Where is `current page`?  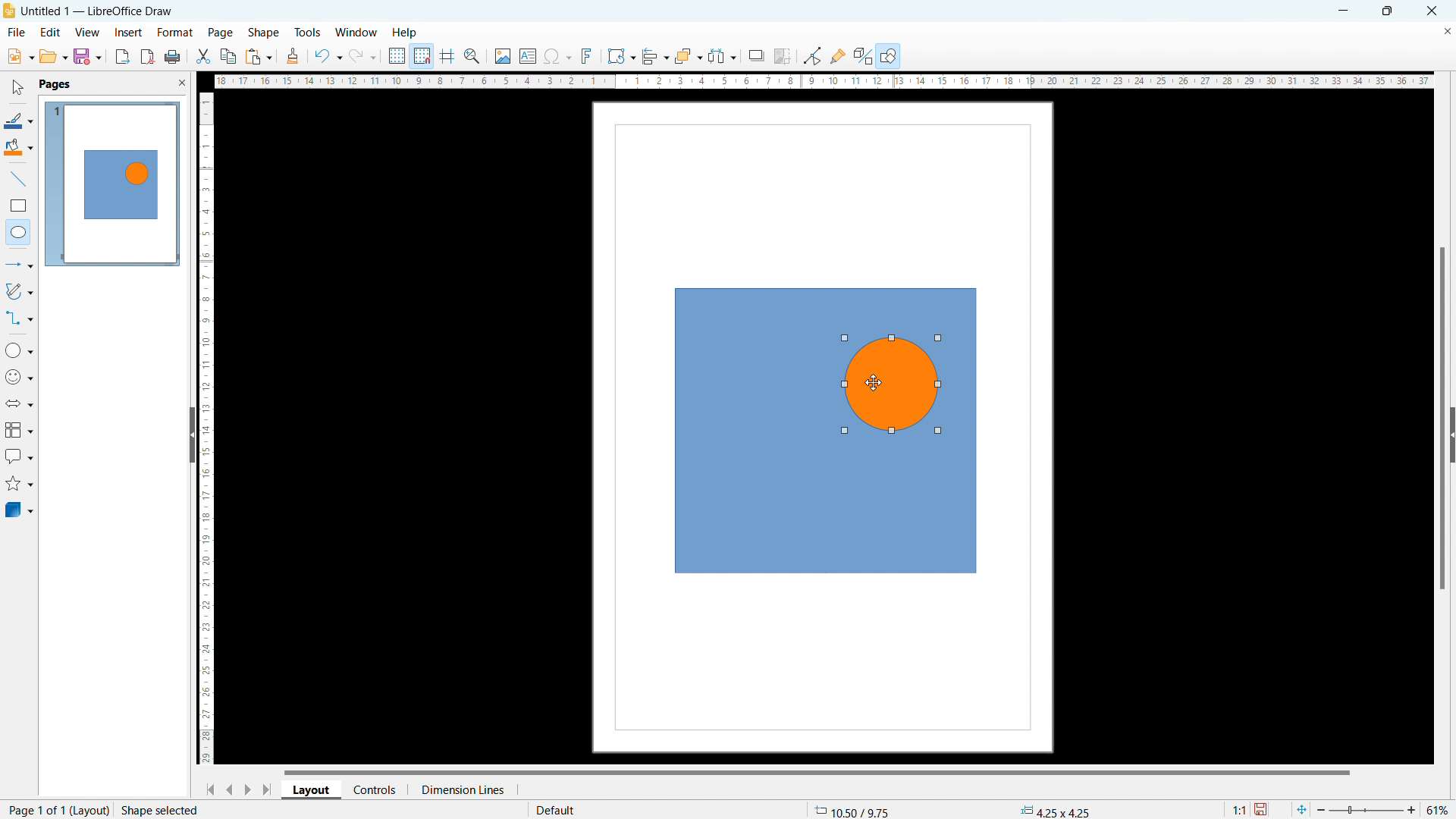
current page is located at coordinates (33, 809).